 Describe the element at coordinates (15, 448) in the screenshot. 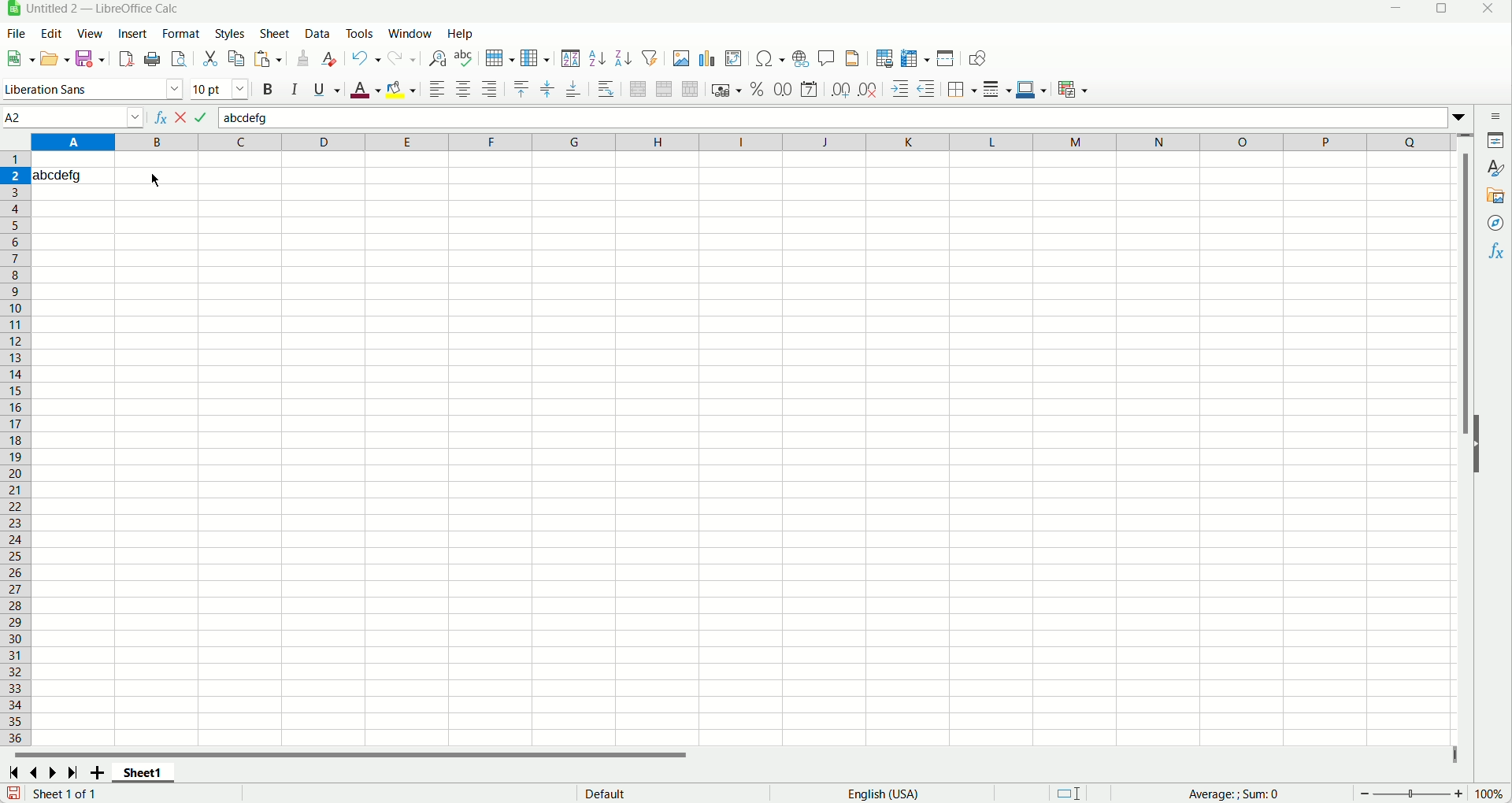

I see `rows` at that location.